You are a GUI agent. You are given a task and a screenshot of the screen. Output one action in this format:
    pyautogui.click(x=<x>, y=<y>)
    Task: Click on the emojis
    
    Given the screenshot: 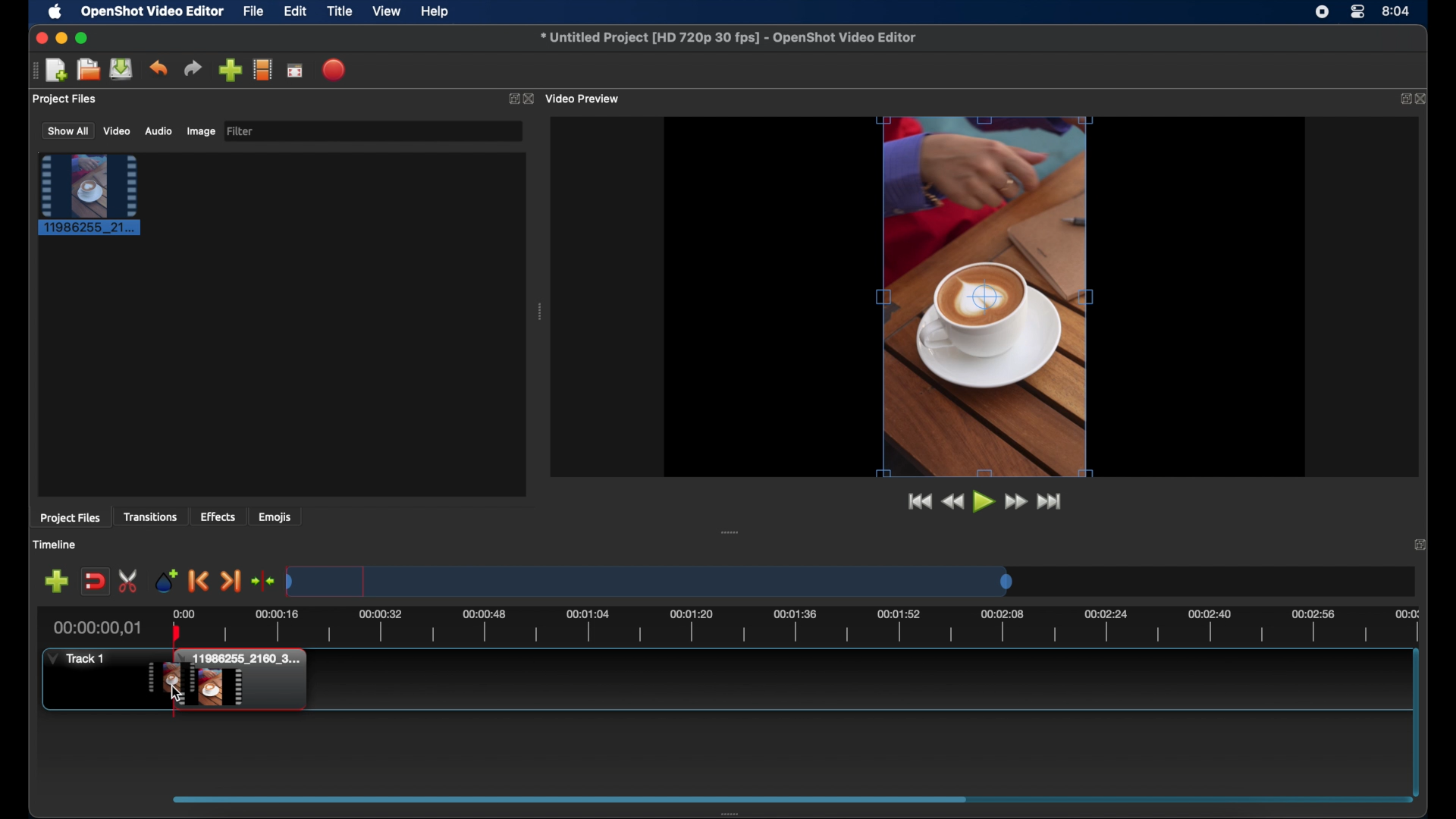 What is the action you would take?
    pyautogui.click(x=275, y=518)
    